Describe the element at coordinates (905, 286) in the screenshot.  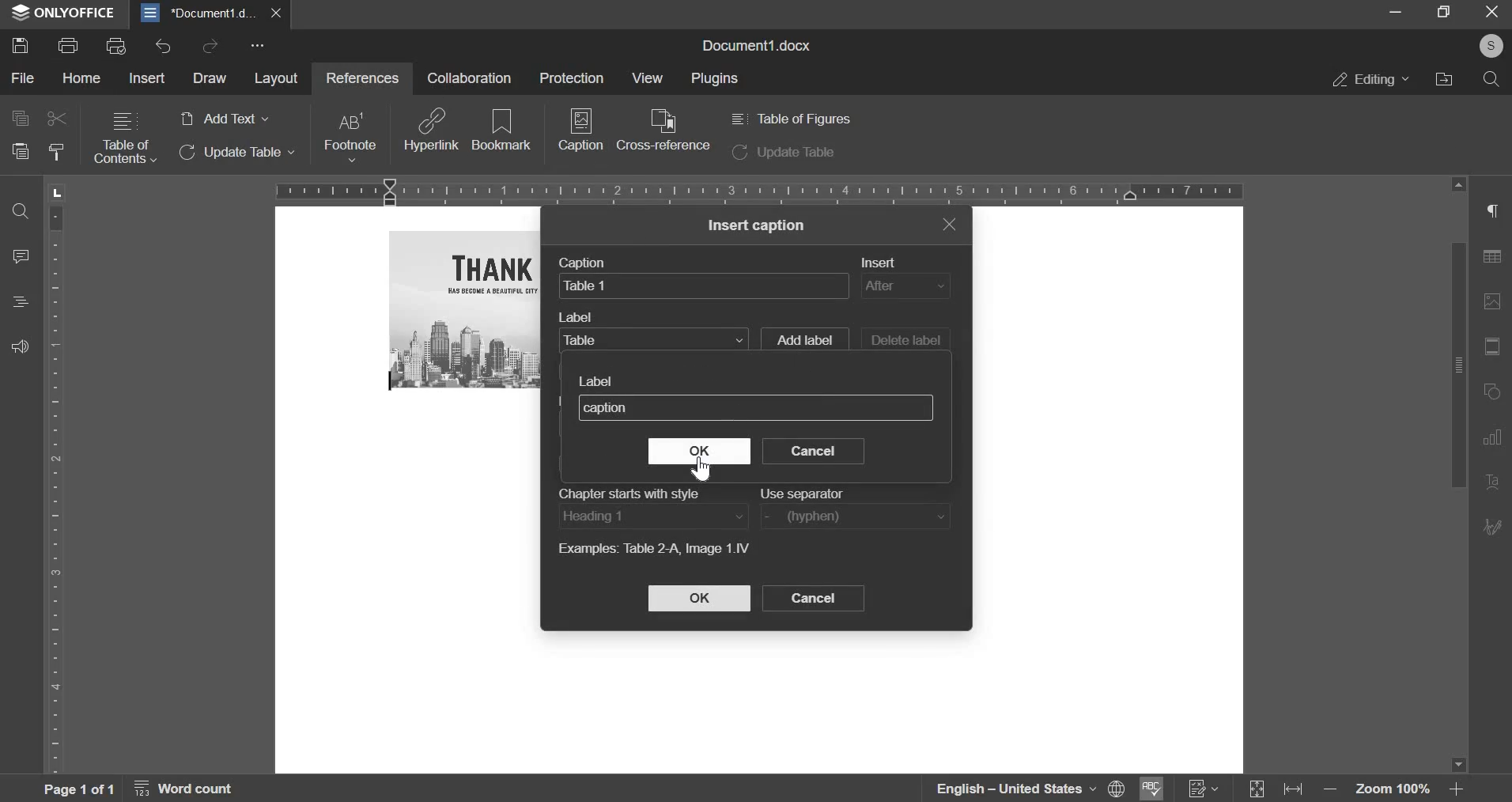
I see `insert` at that location.